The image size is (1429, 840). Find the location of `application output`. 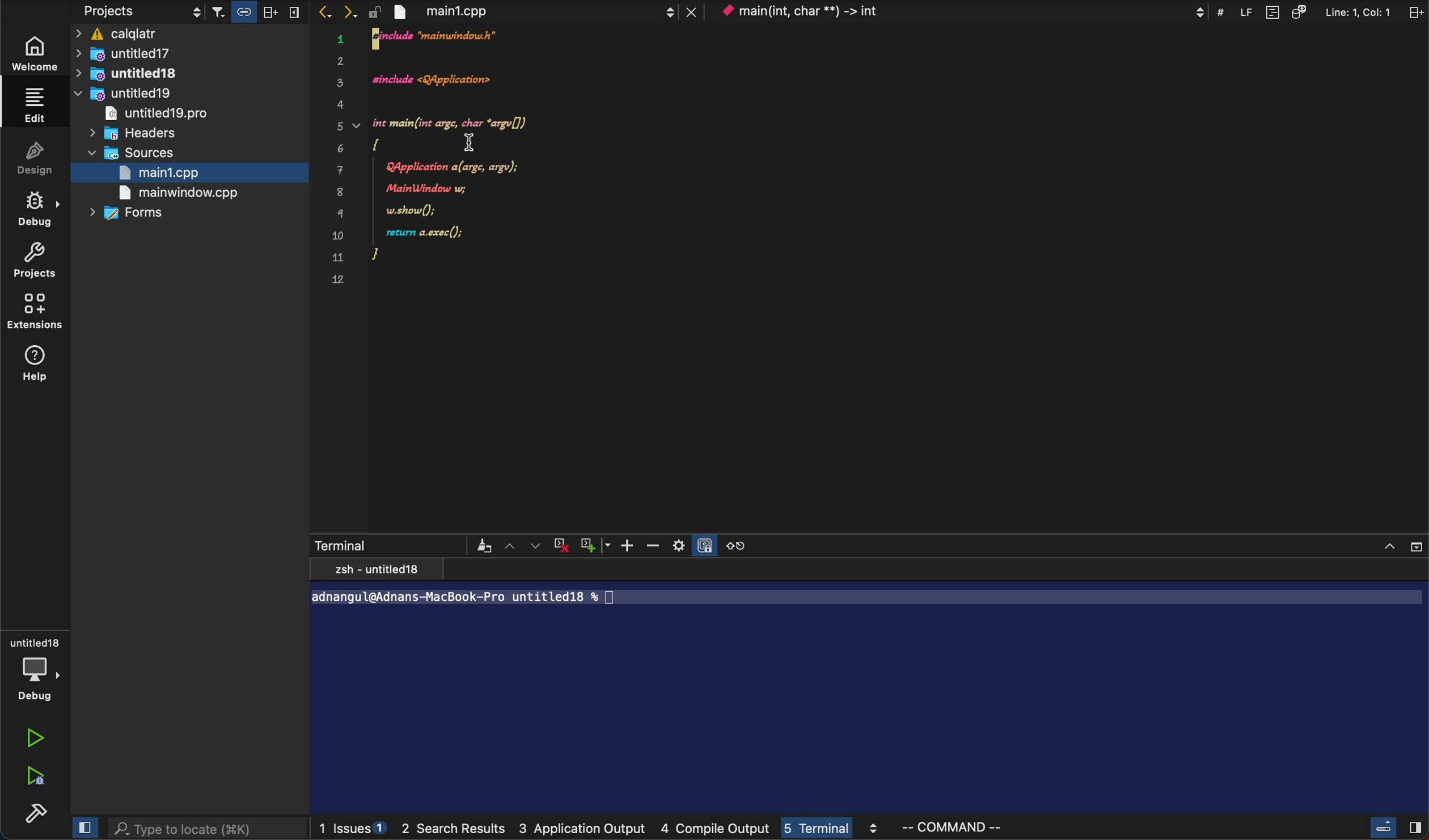

application output is located at coordinates (582, 830).